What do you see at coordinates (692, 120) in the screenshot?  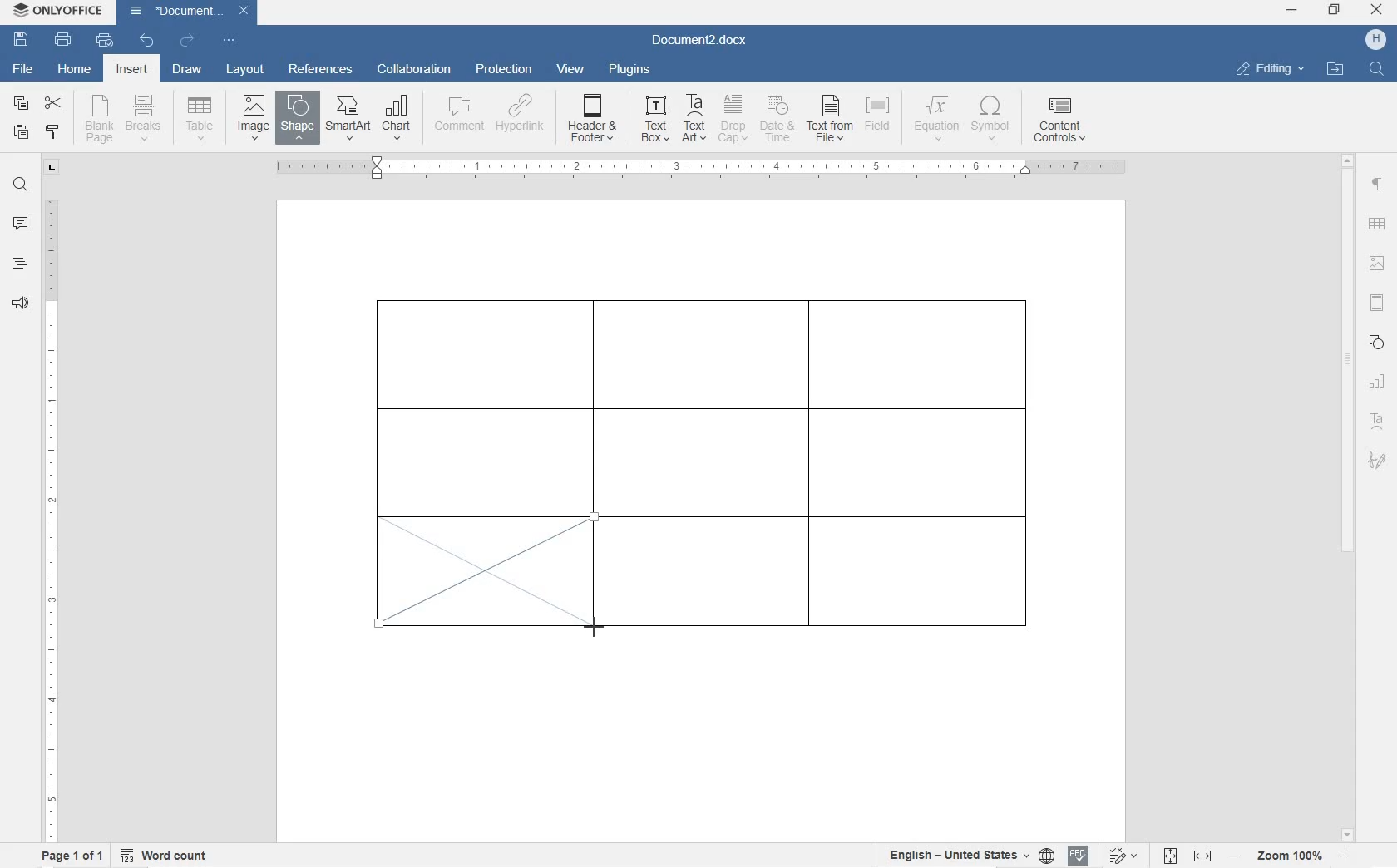 I see `TEXT ART` at bounding box center [692, 120].